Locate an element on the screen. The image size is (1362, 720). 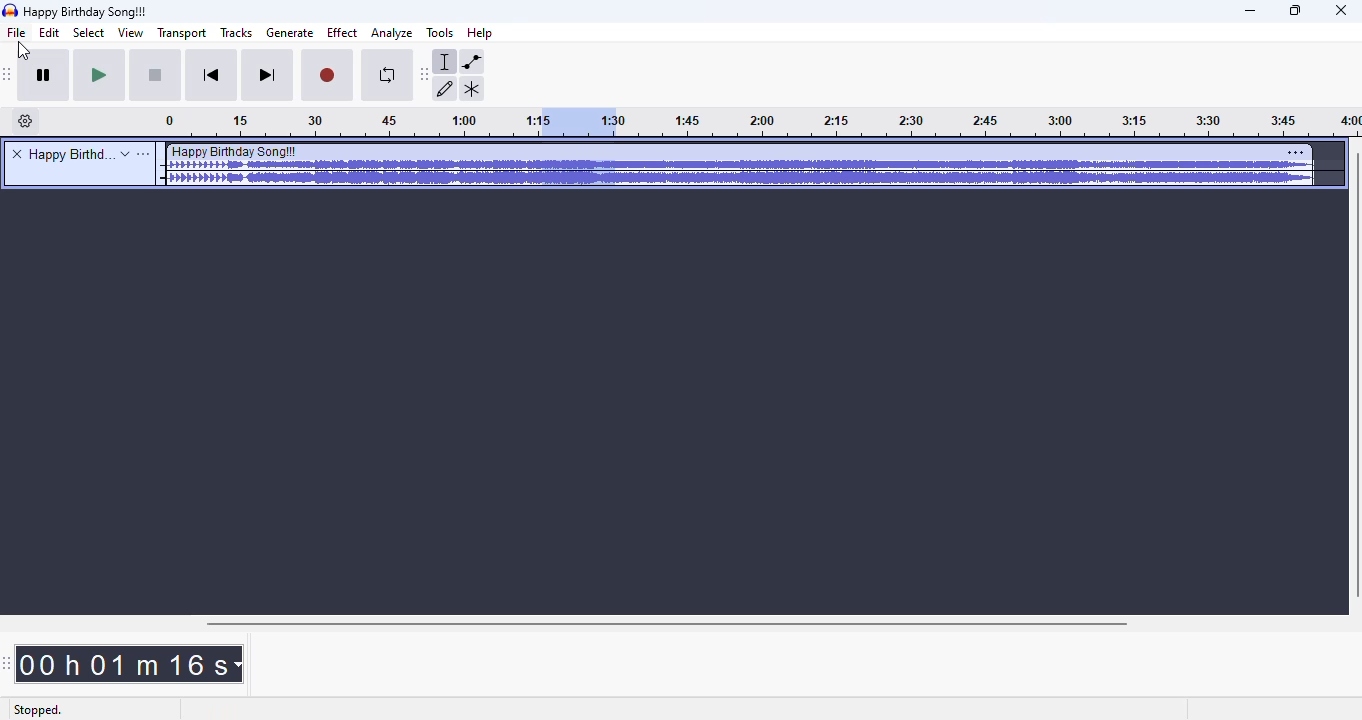
select is located at coordinates (89, 33).